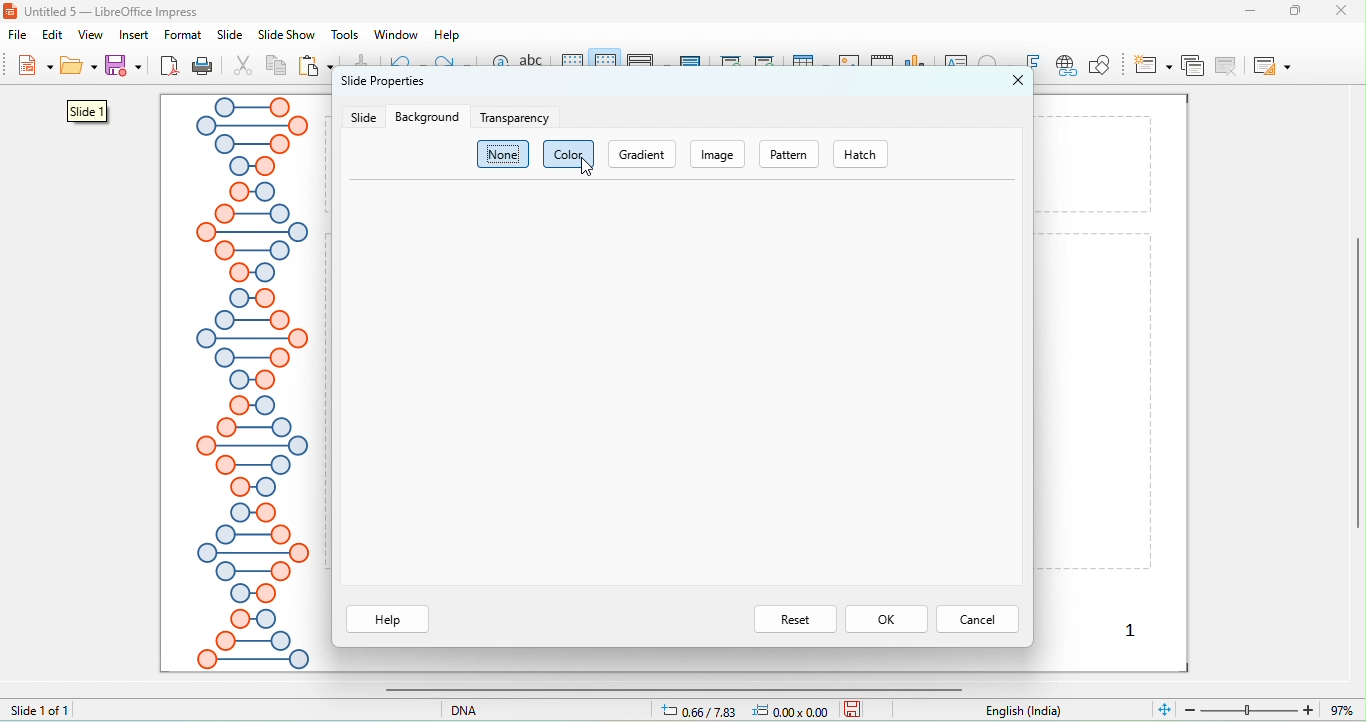 This screenshot has width=1366, height=722. What do you see at coordinates (886, 619) in the screenshot?
I see `ok` at bounding box center [886, 619].